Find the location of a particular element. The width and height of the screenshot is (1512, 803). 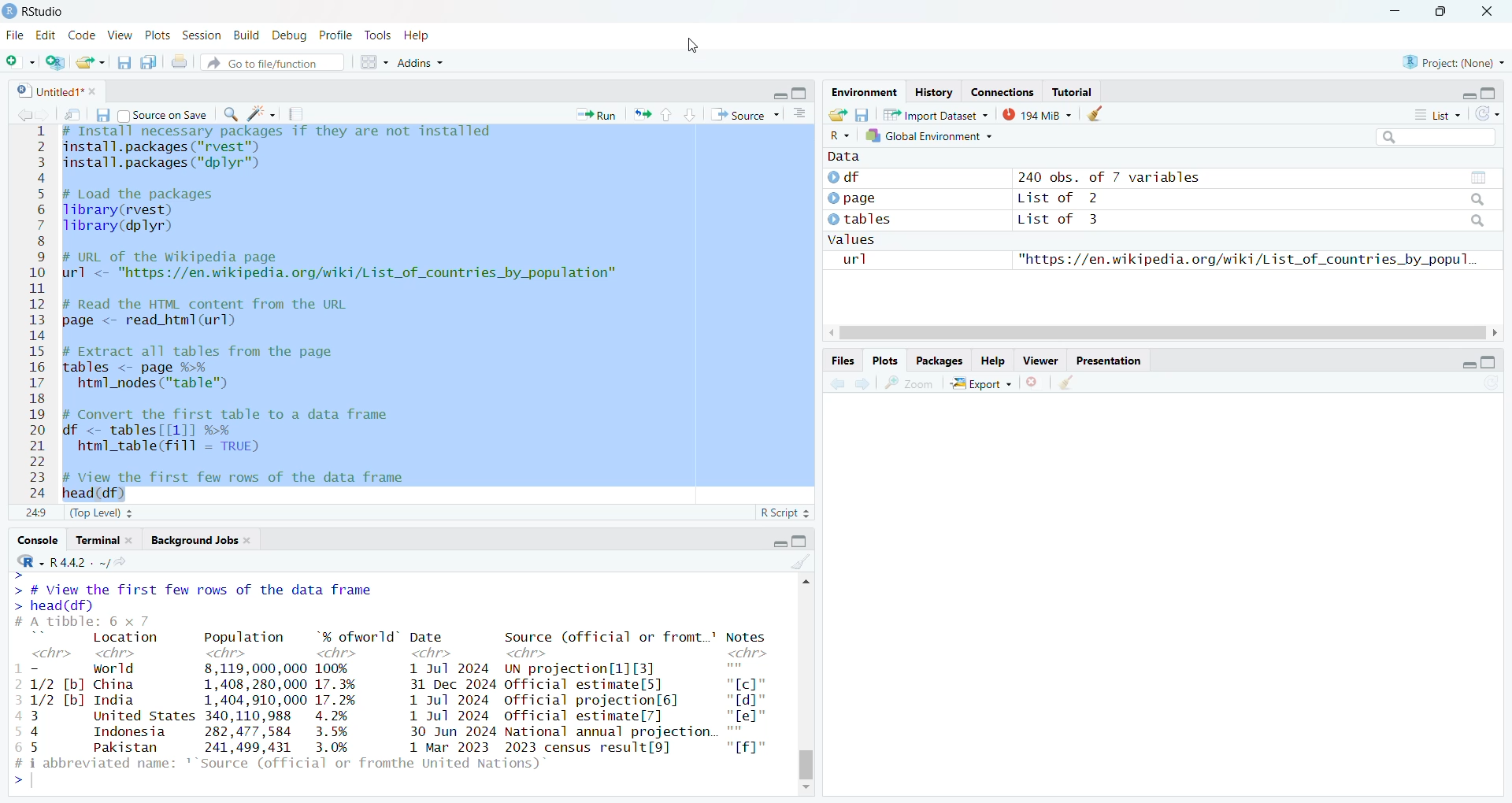

# URL of the wikipedia pageurl <- "https://en.wikipedia.org/wiki/List_of_countries_by population" is located at coordinates (343, 268).